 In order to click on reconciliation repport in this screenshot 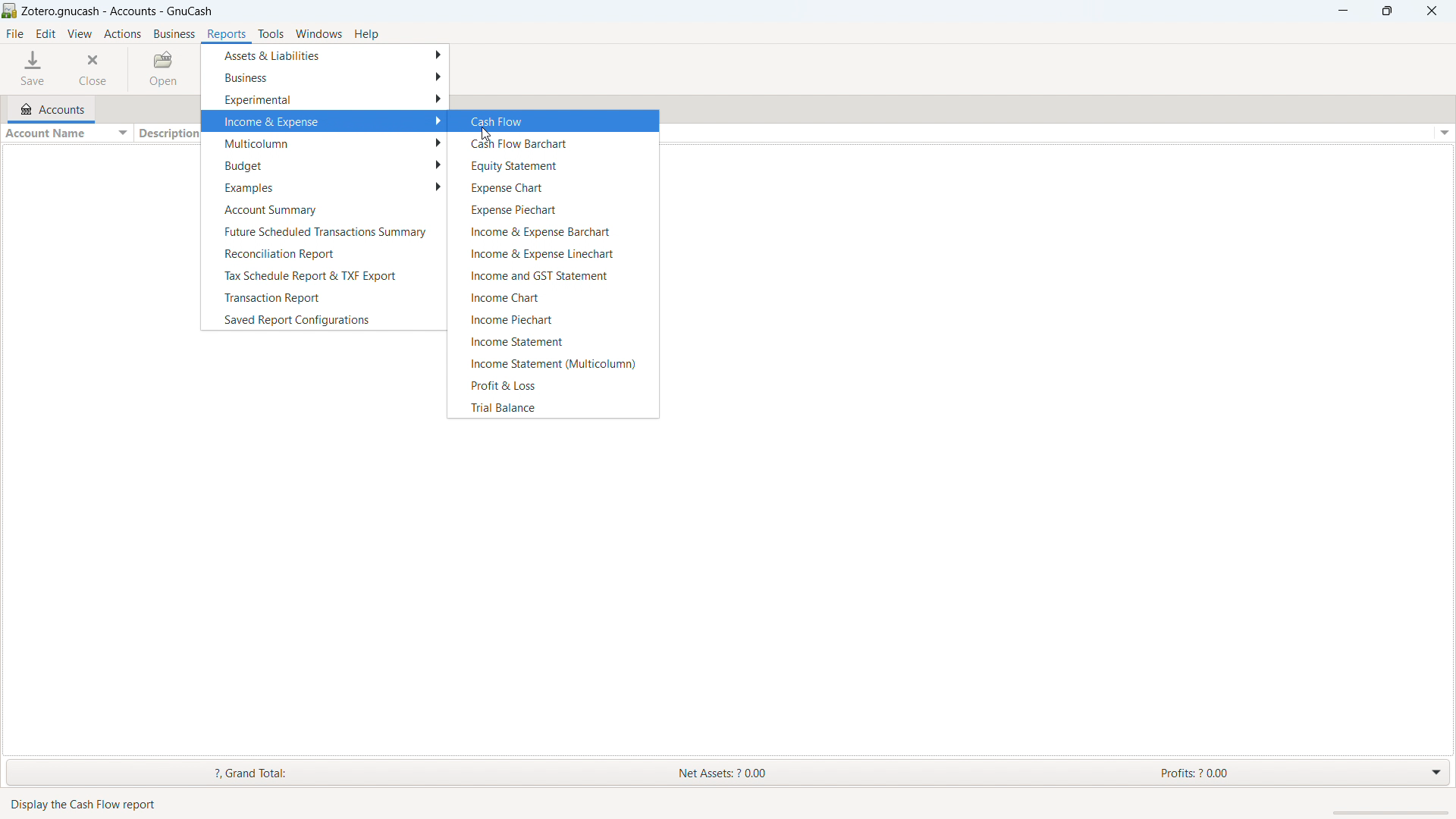, I will do `click(322, 253)`.